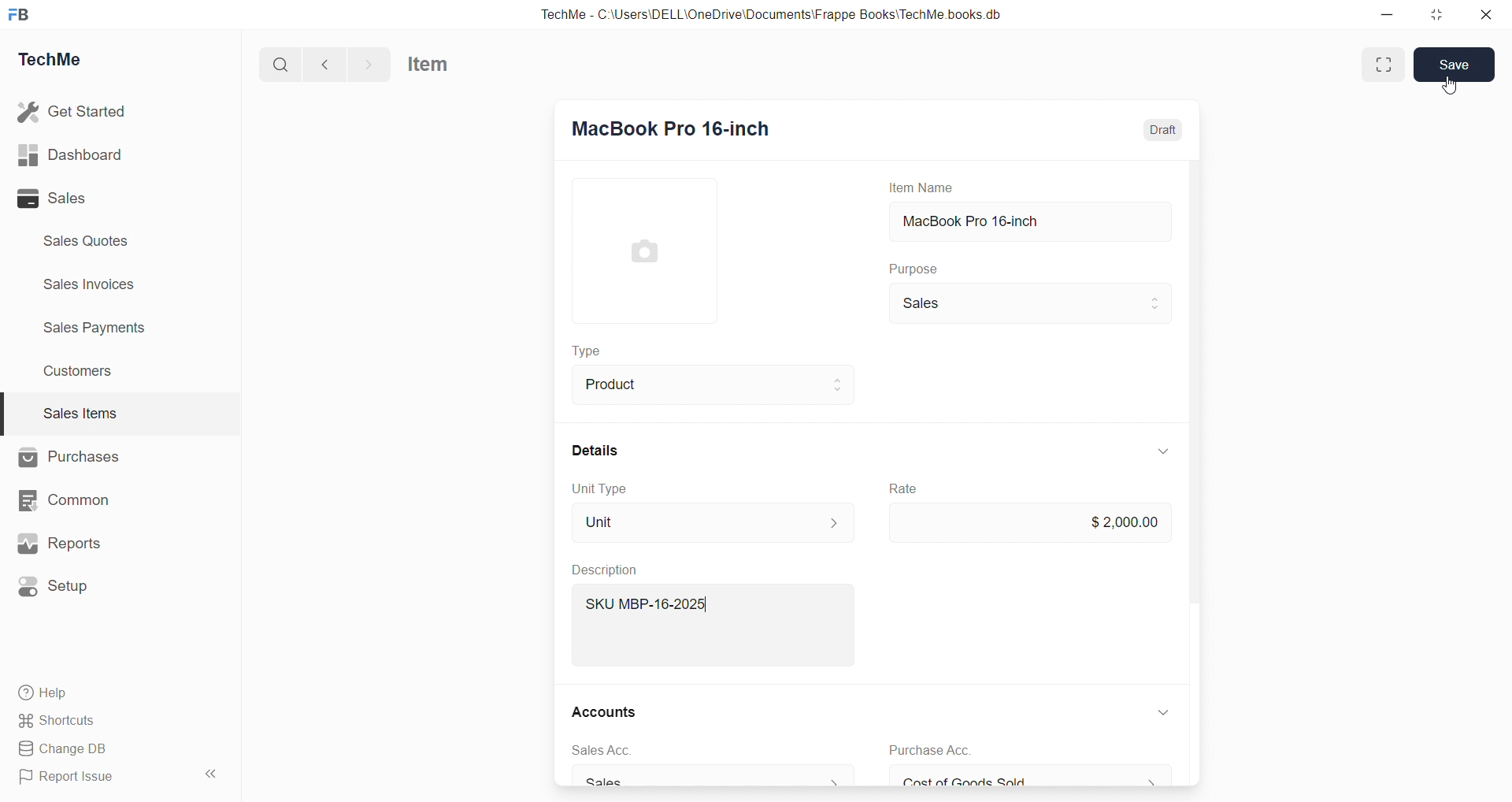 The image size is (1512, 802). I want to click on close, so click(1487, 14).